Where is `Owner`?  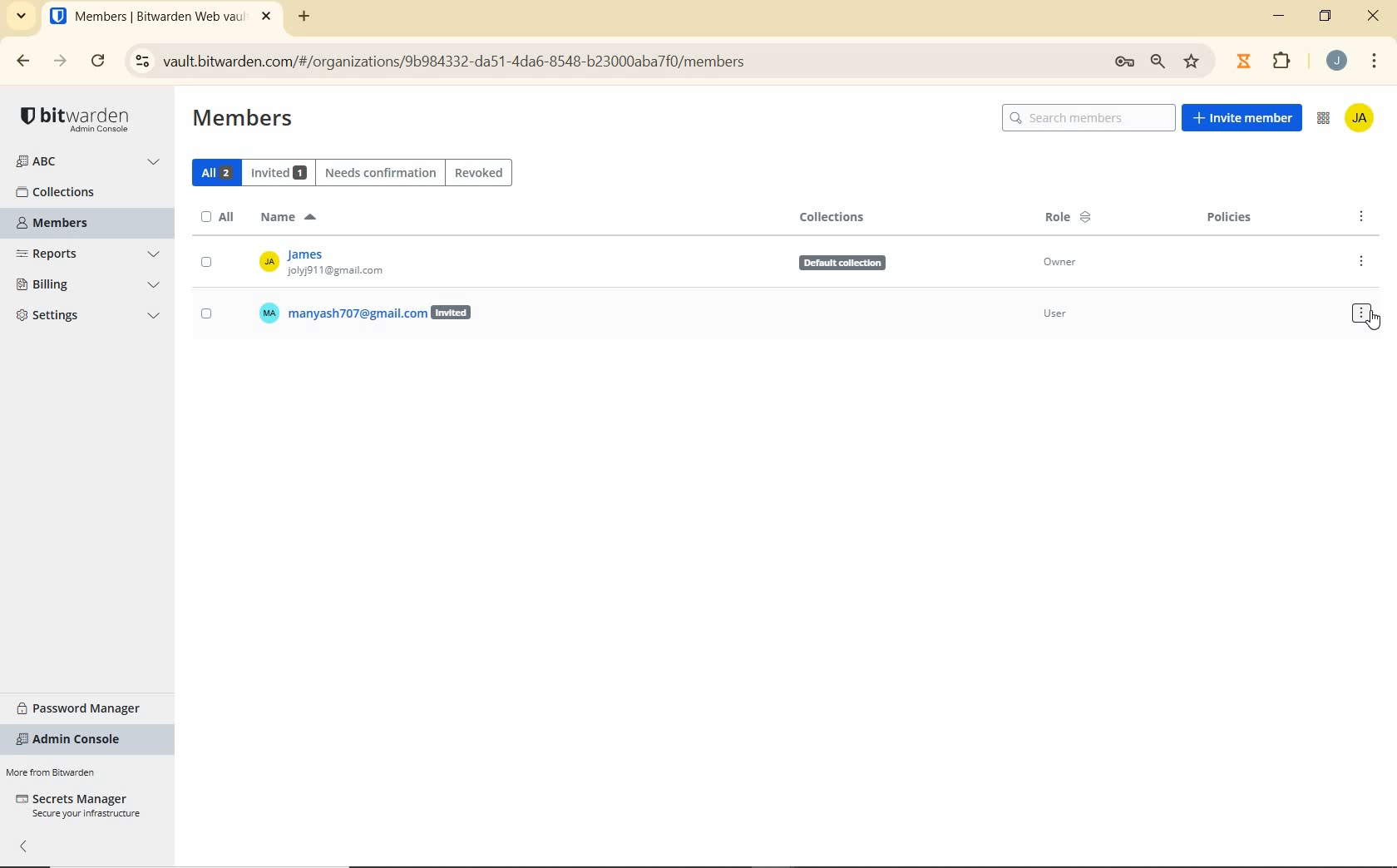 Owner is located at coordinates (1064, 264).